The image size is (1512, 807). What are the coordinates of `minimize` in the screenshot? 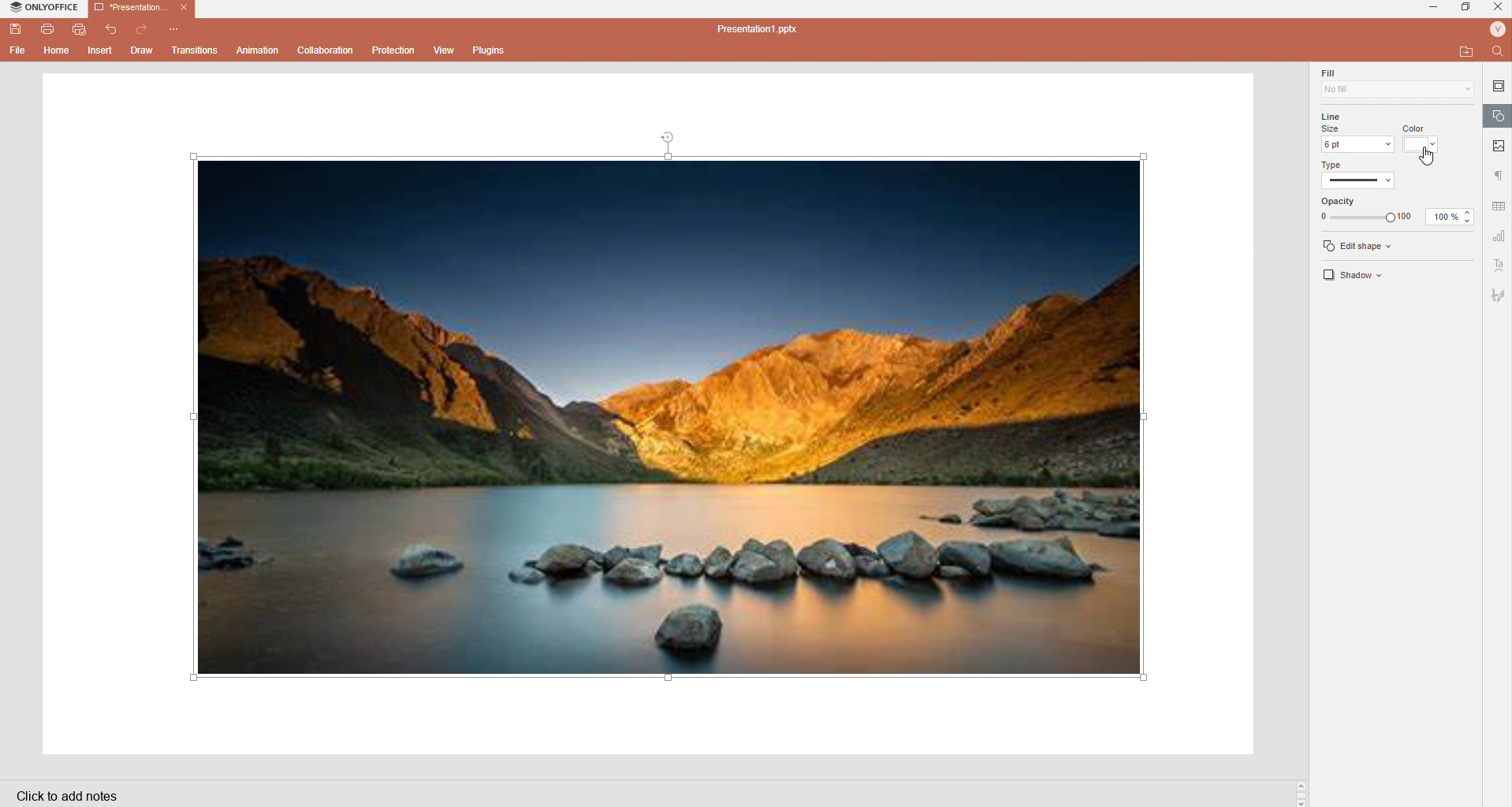 It's located at (1436, 7).